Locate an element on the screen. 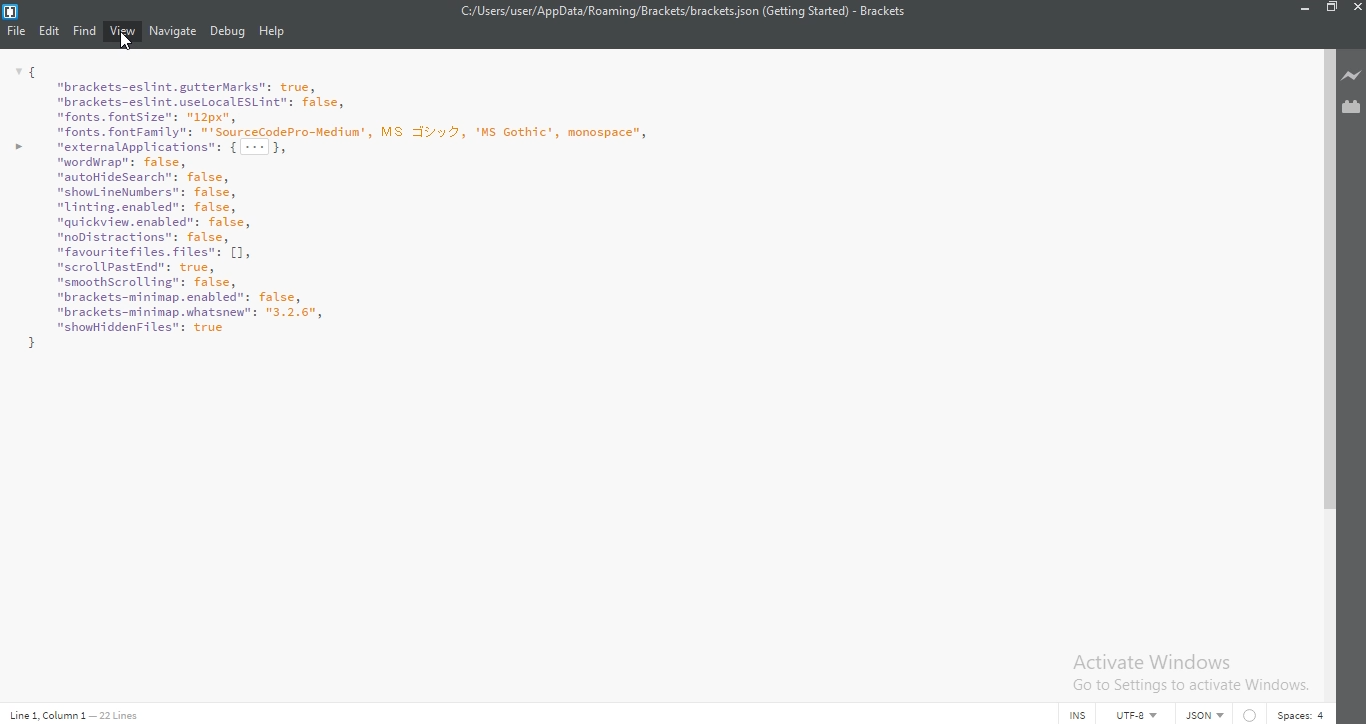  View is located at coordinates (124, 30).